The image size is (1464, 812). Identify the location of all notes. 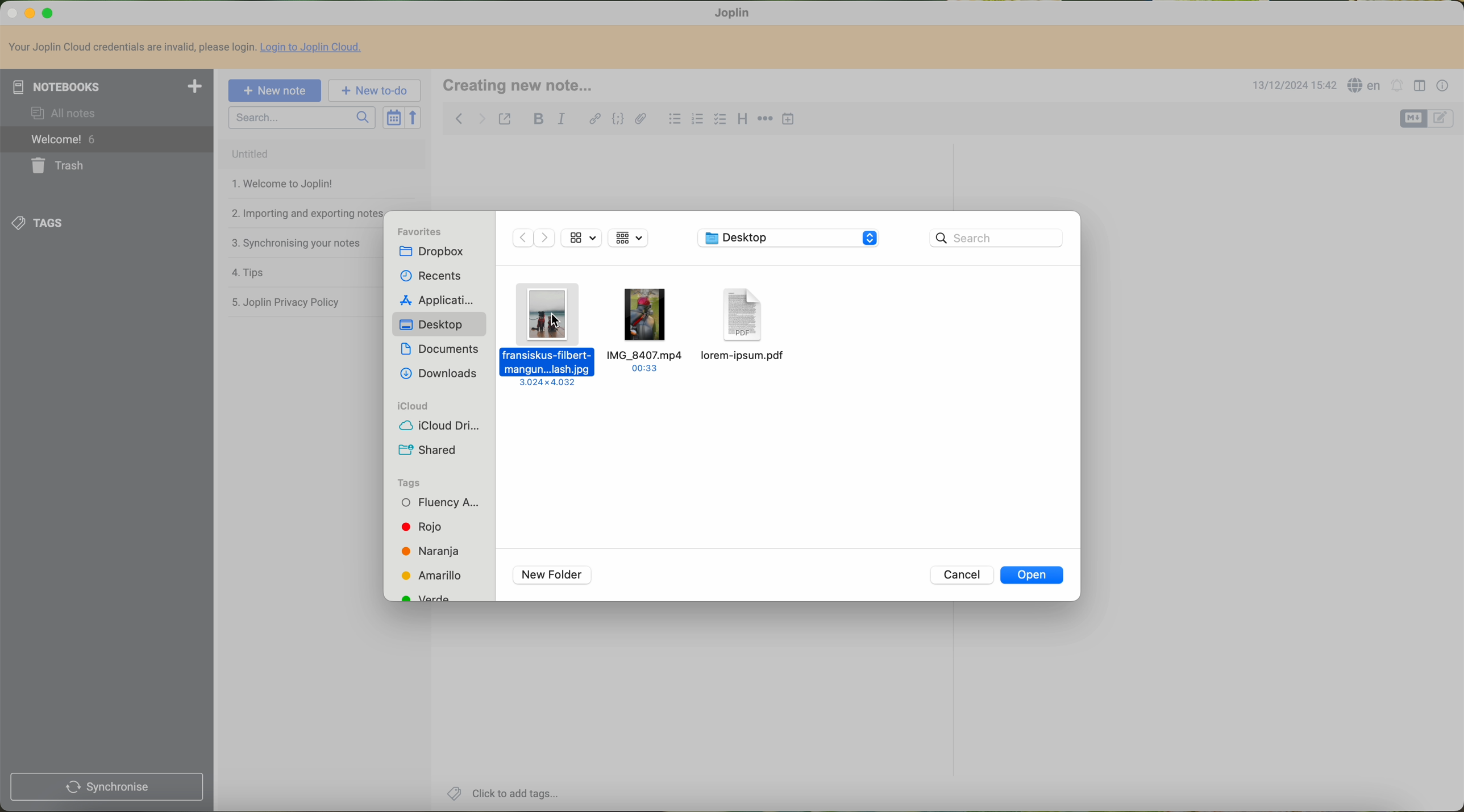
(66, 114).